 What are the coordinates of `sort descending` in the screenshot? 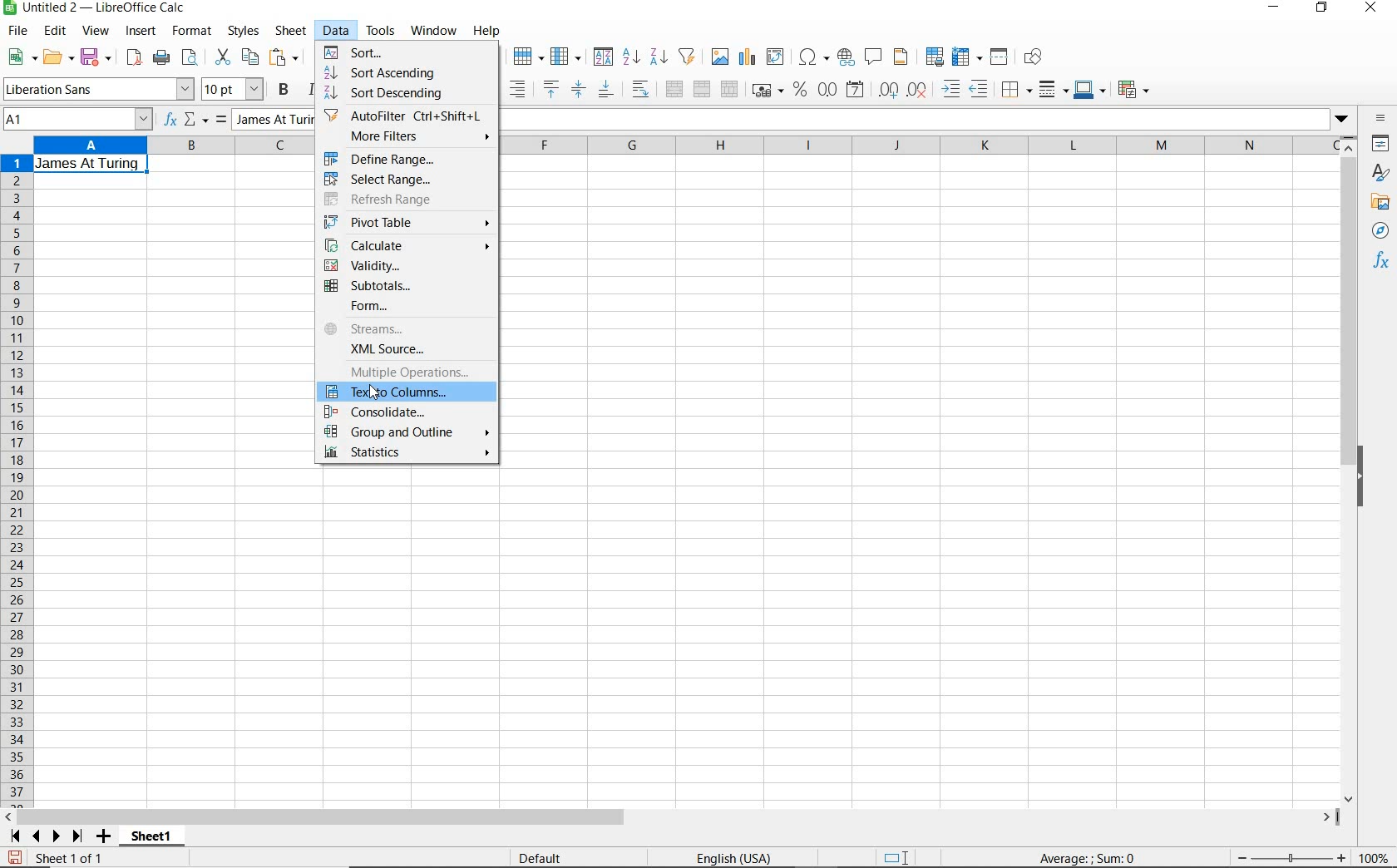 It's located at (659, 57).